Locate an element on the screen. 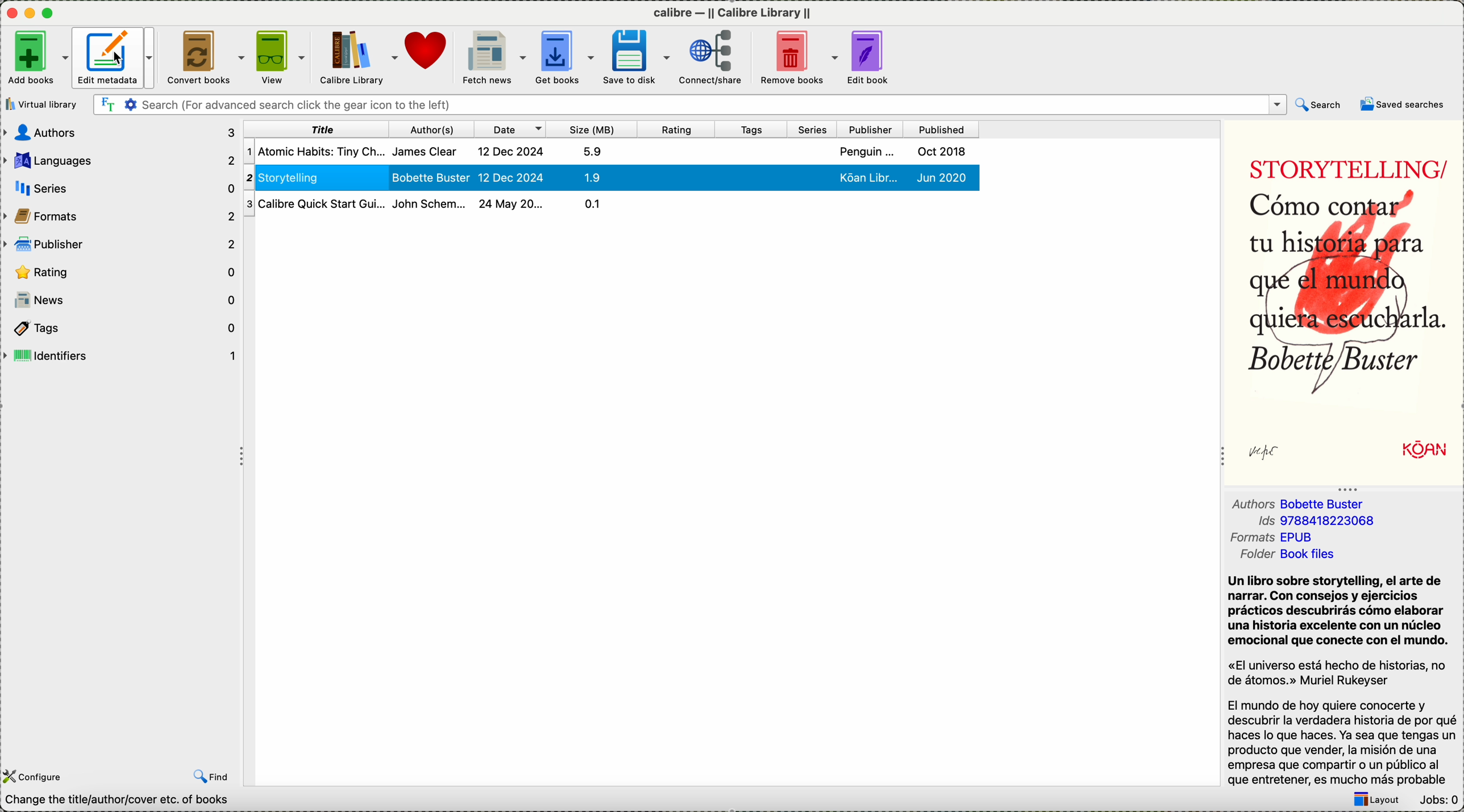 The width and height of the screenshot is (1464, 812). icon is located at coordinates (30, 14).